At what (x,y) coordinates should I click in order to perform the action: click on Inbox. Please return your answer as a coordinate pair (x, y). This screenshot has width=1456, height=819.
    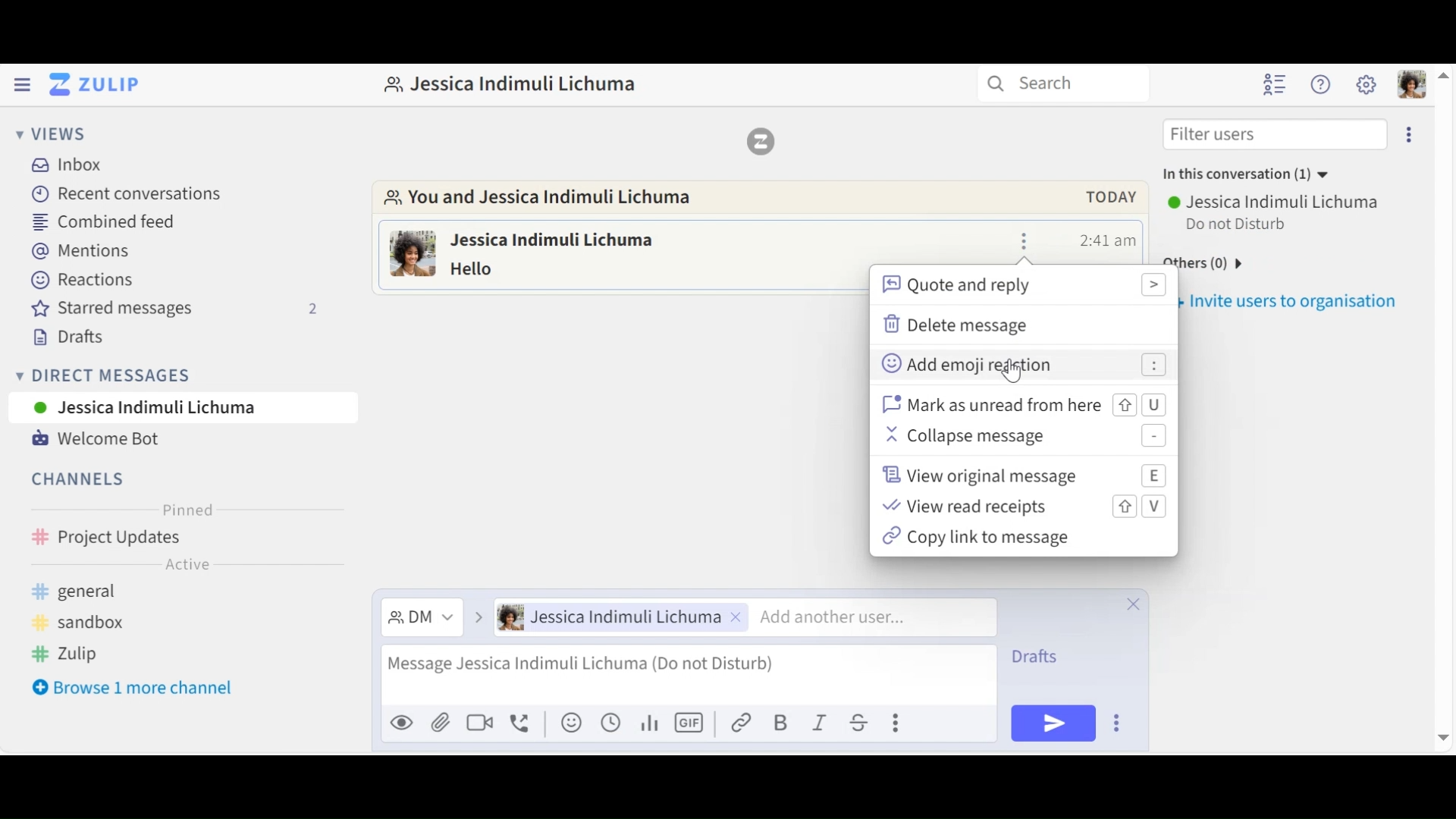
    Looking at the image, I should click on (77, 164).